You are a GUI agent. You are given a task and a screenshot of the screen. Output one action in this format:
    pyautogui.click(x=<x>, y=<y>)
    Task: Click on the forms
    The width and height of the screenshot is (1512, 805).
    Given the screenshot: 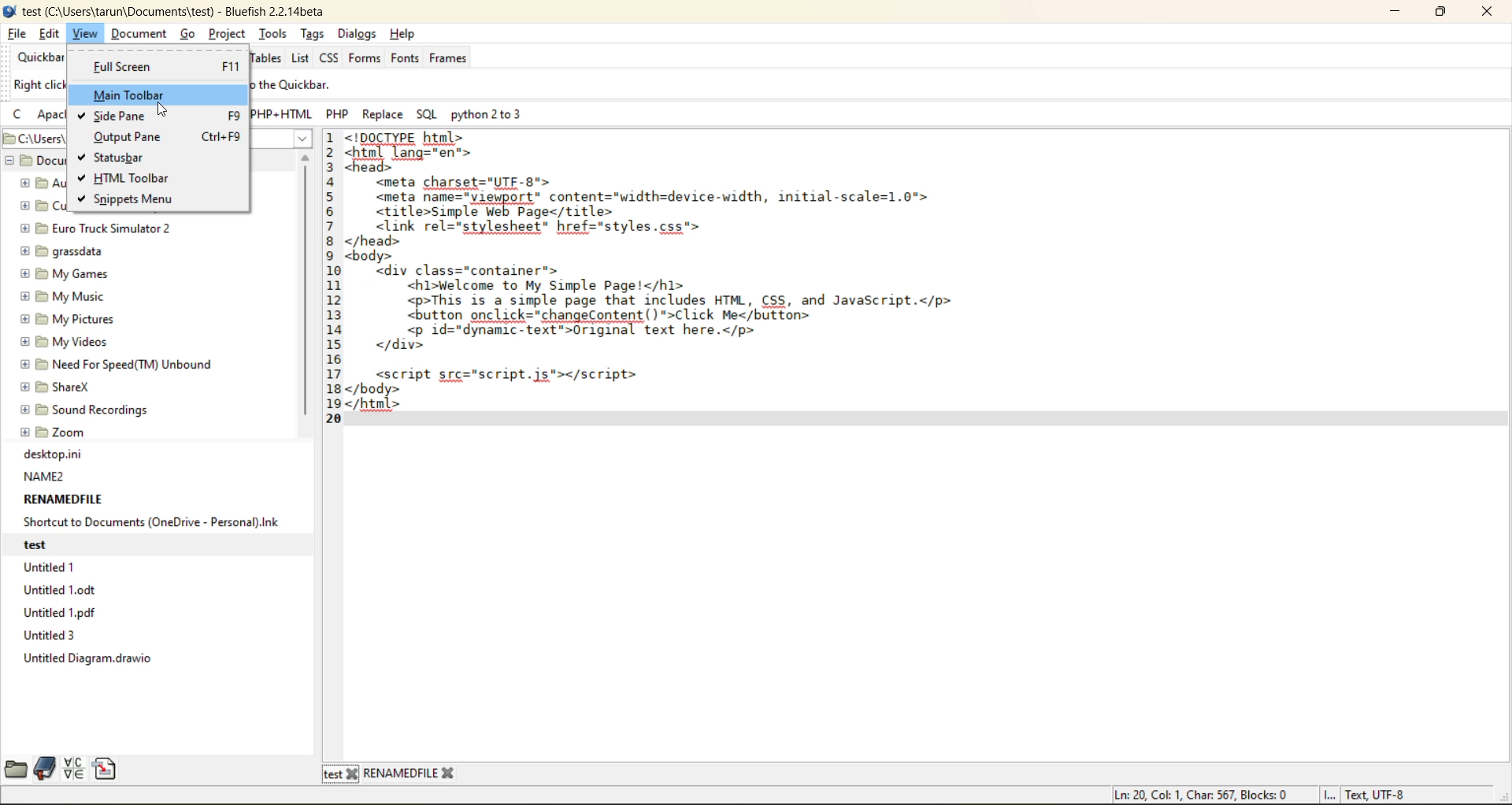 What is the action you would take?
    pyautogui.click(x=364, y=60)
    